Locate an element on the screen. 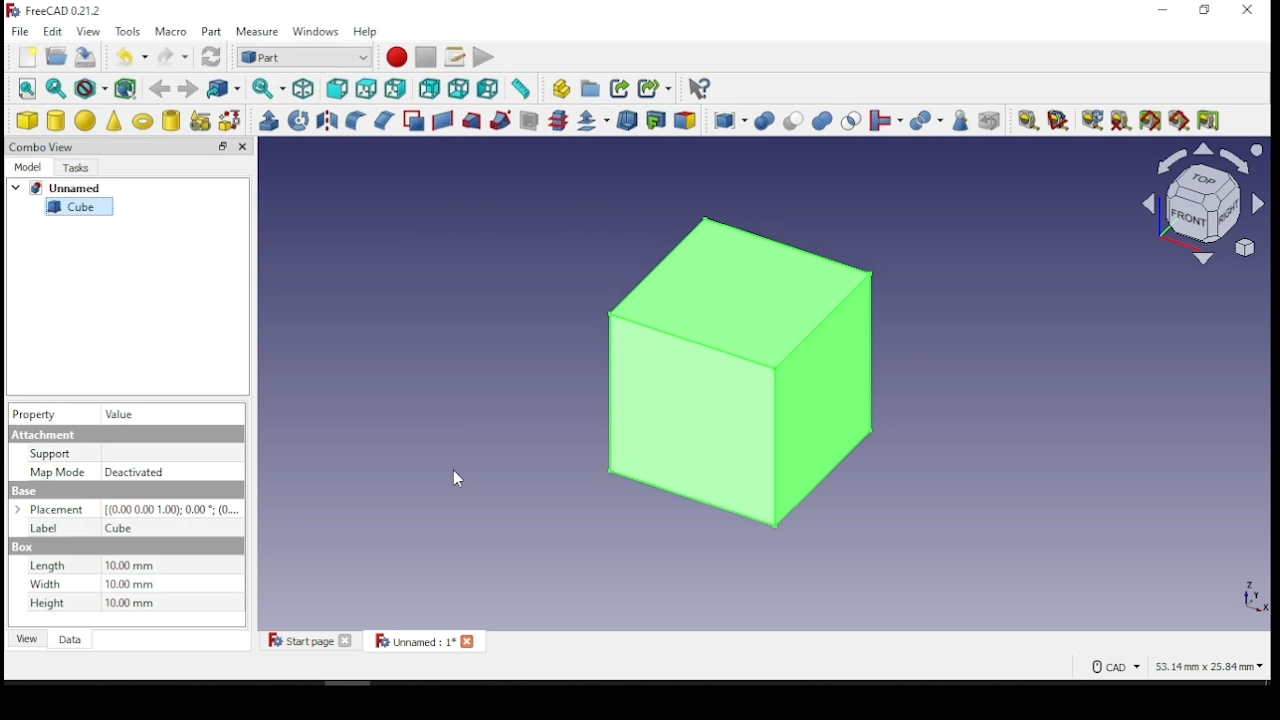  stop macro recording is located at coordinates (424, 57).